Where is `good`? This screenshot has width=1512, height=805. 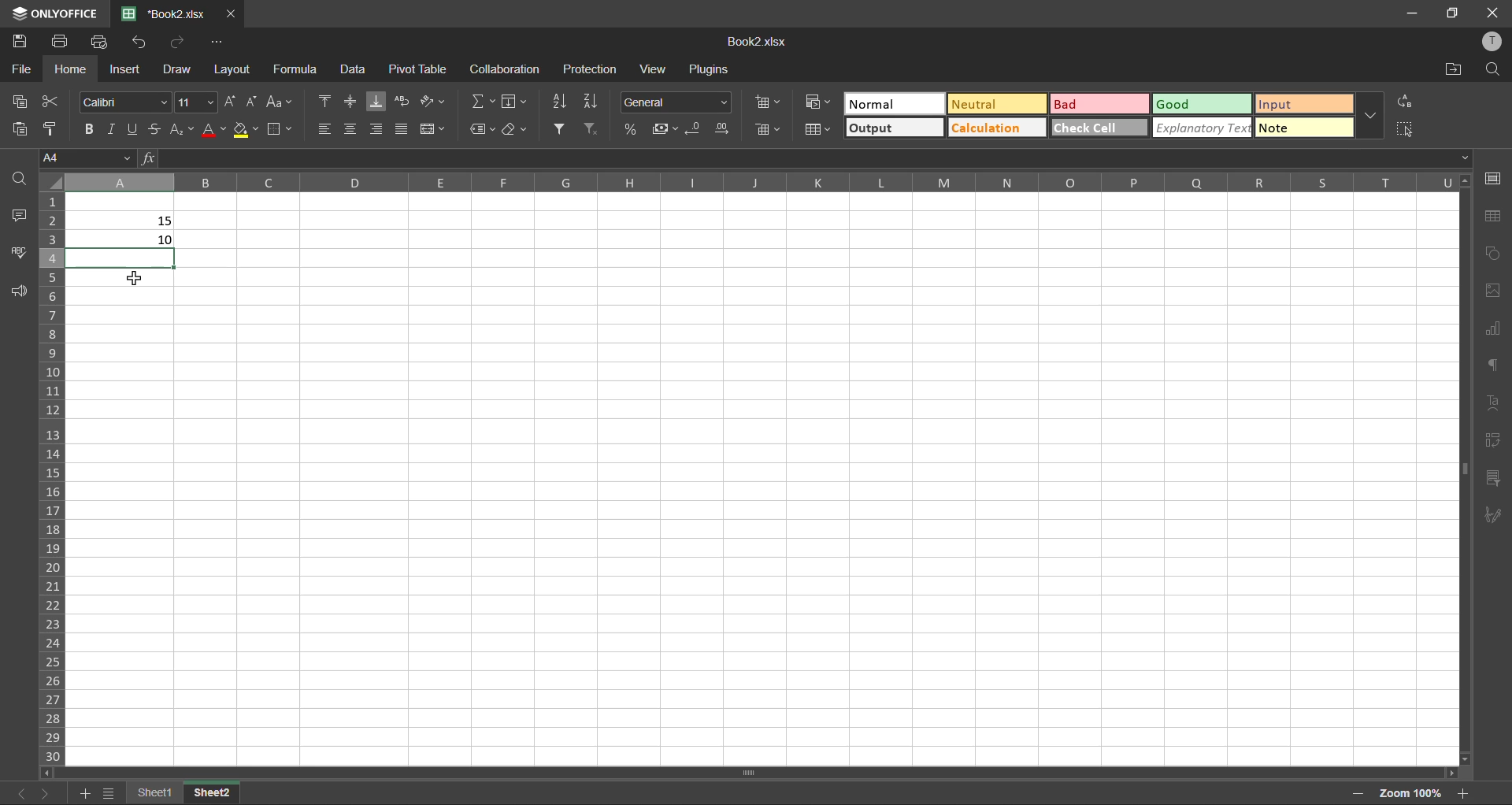 good is located at coordinates (1203, 103).